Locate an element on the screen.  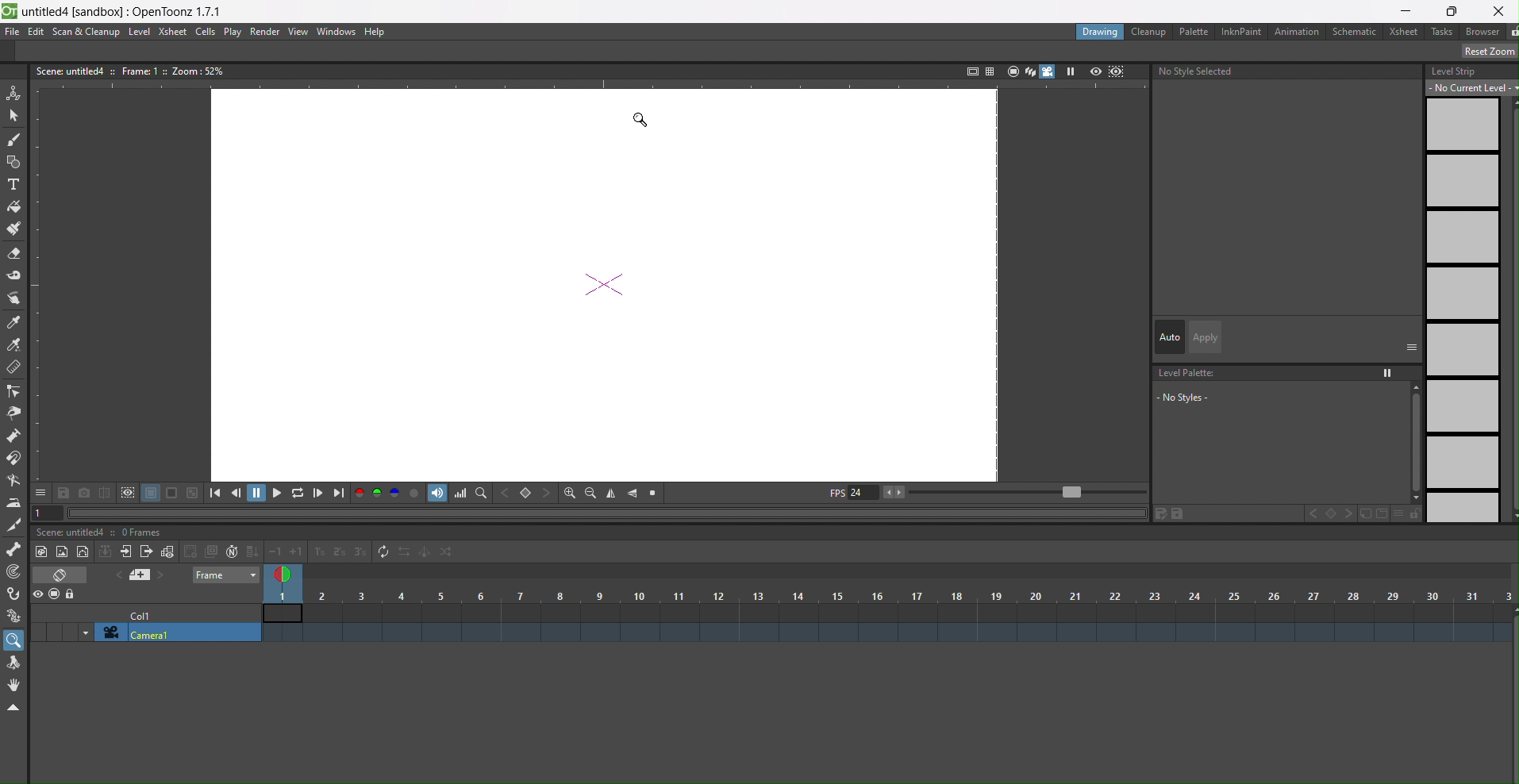
close is located at coordinates (1499, 10).